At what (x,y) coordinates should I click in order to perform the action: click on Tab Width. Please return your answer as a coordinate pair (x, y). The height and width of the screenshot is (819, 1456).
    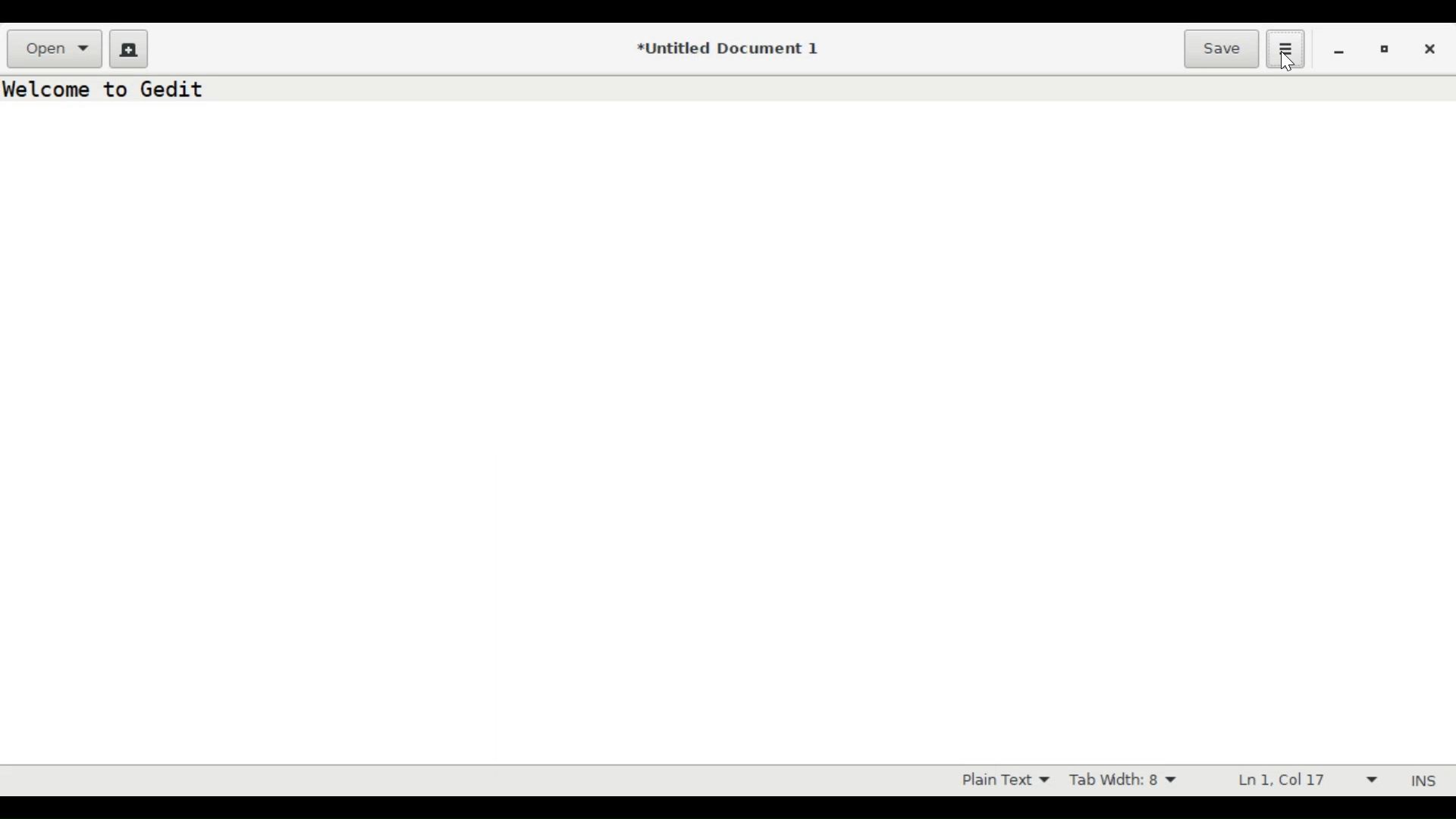
    Looking at the image, I should click on (1123, 781).